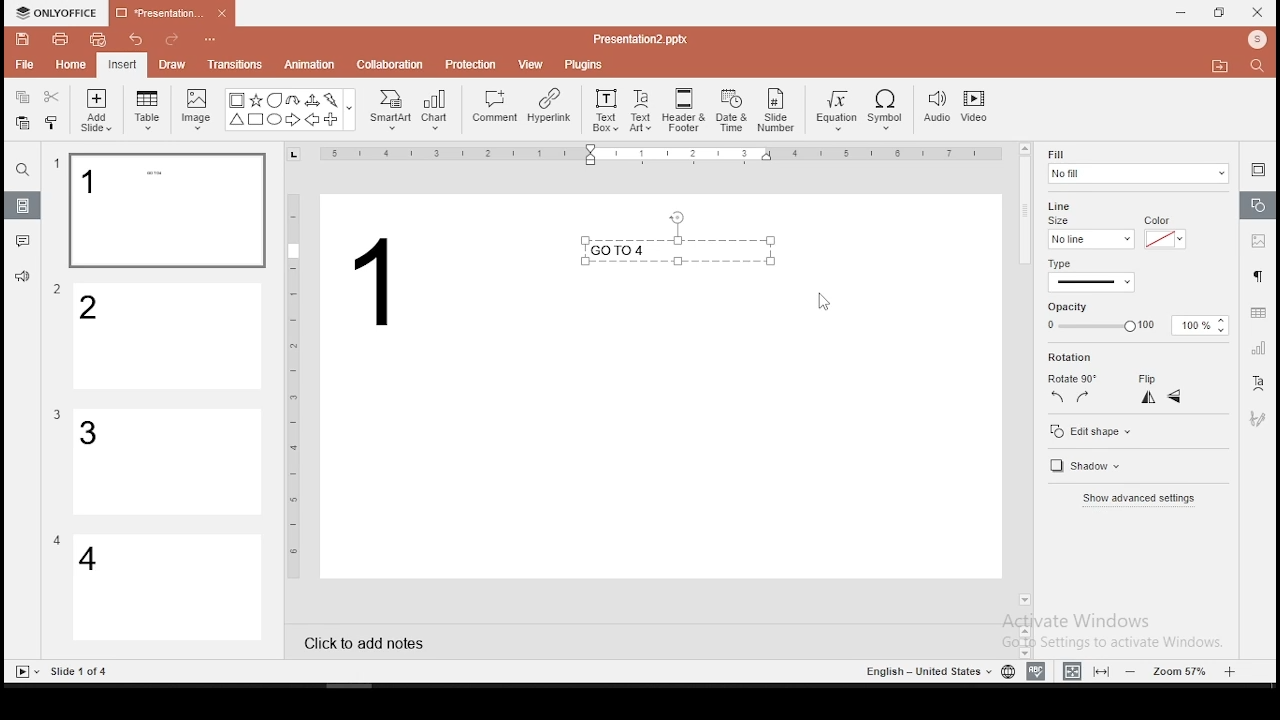  I want to click on slide number, so click(777, 110).